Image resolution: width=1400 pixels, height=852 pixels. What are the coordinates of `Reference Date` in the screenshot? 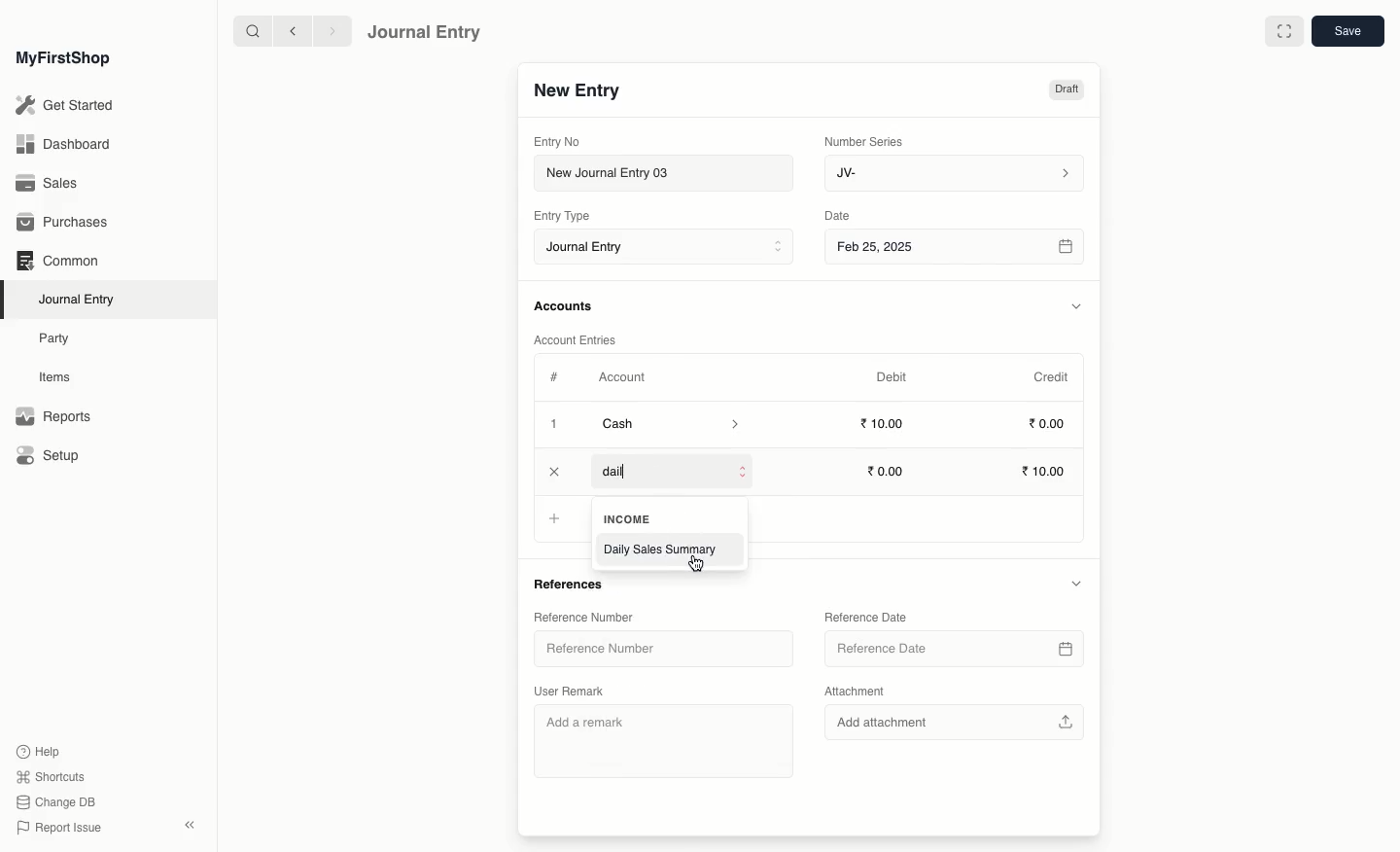 It's located at (864, 616).